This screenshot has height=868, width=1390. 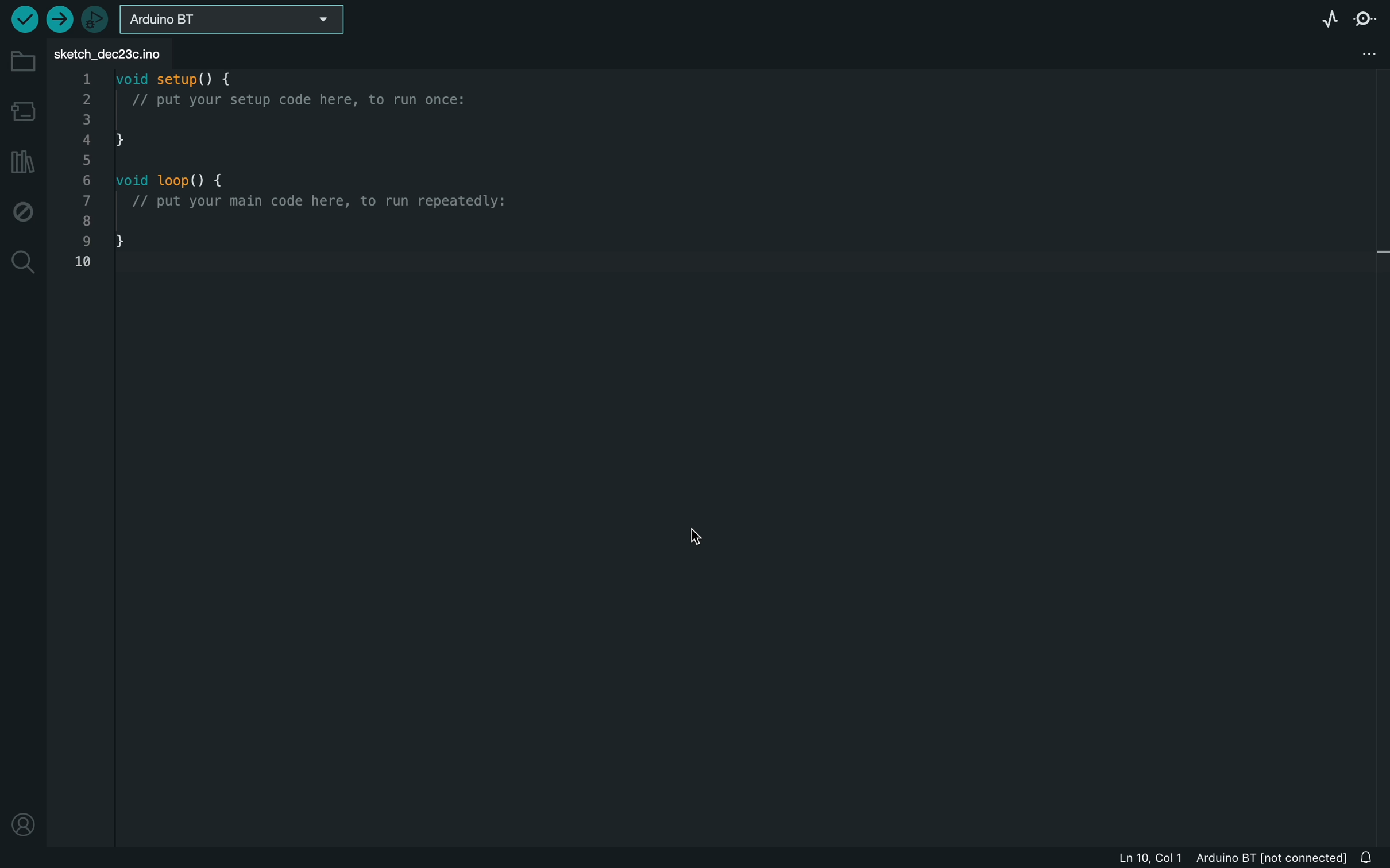 What do you see at coordinates (1325, 18) in the screenshot?
I see `serial plotter` at bounding box center [1325, 18].